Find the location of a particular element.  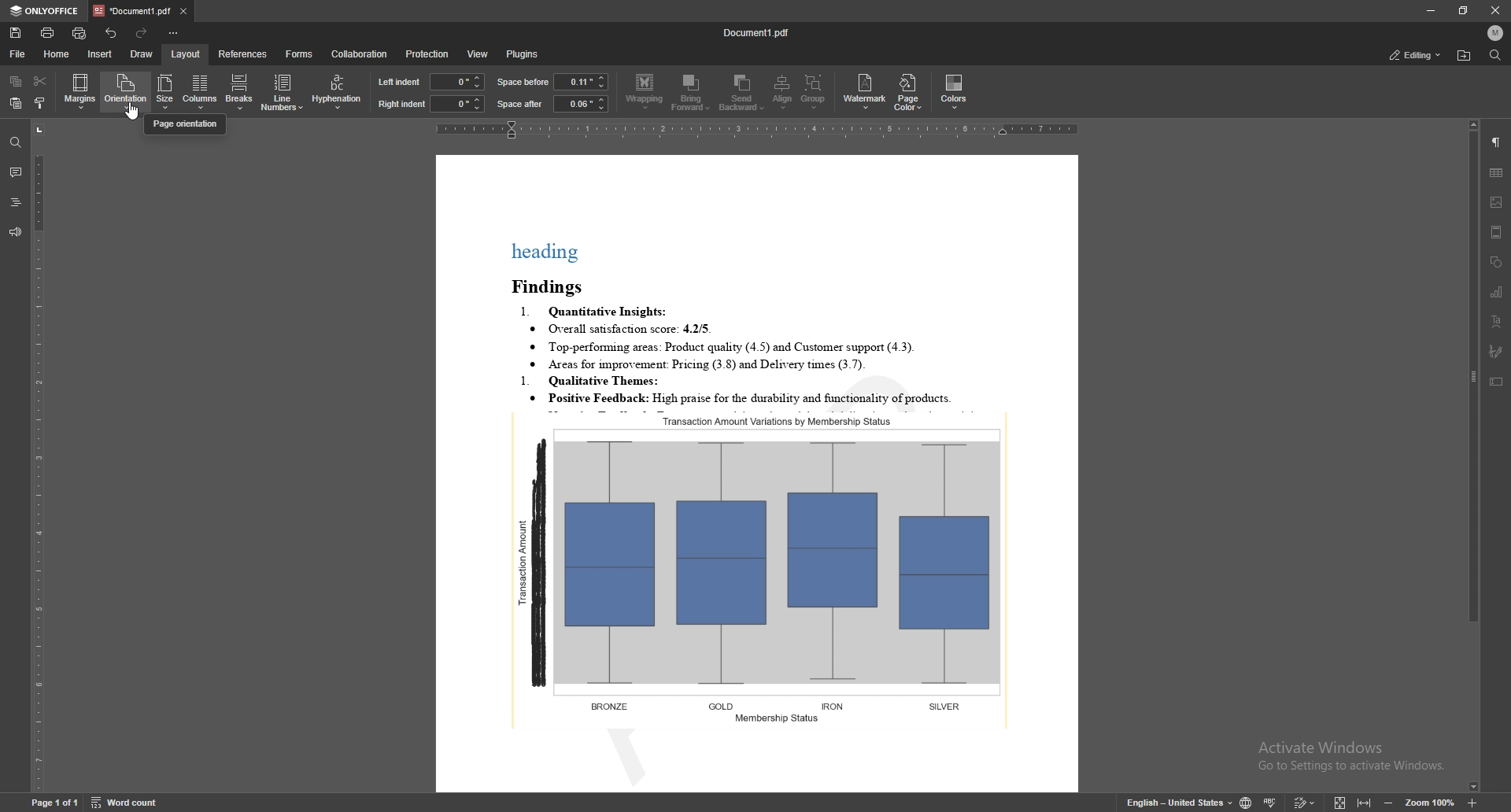

header and footer is located at coordinates (1497, 232).